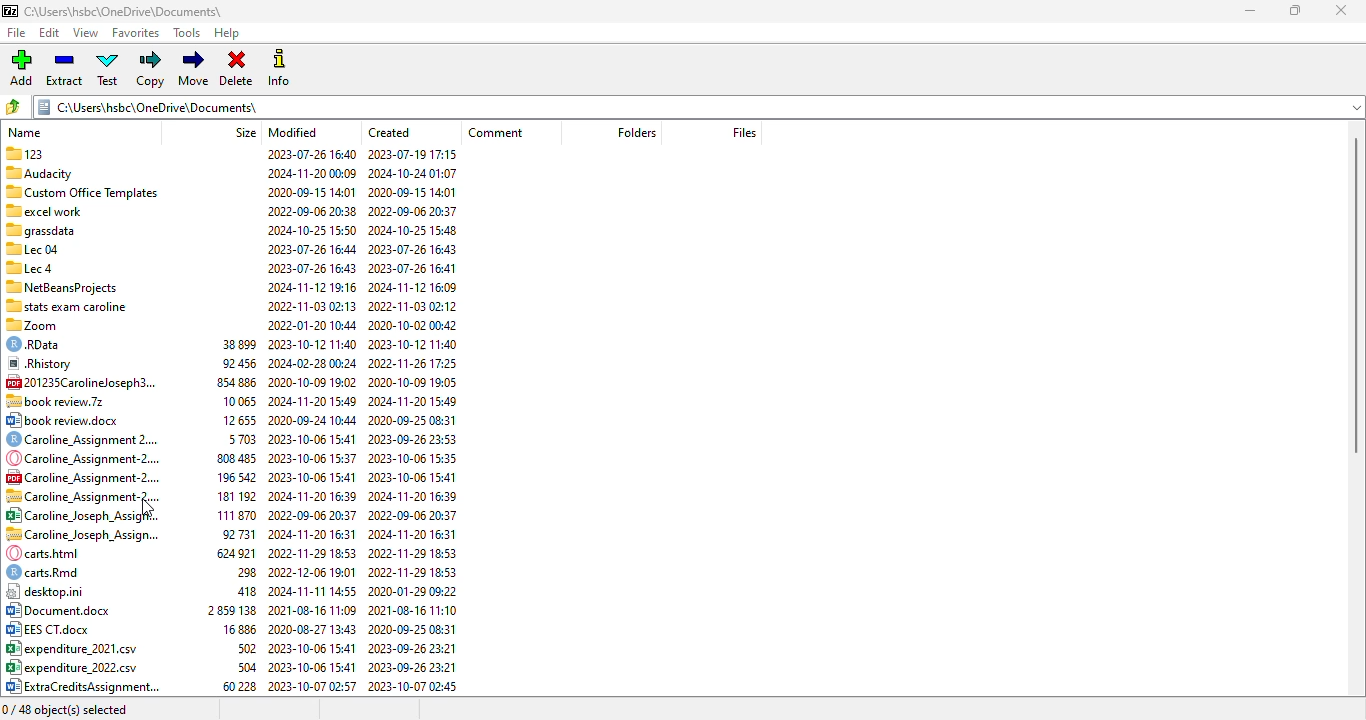  What do you see at coordinates (232, 152) in the screenshot?
I see `123 2023-07-26 16:40 2023-07-19 17:15` at bounding box center [232, 152].